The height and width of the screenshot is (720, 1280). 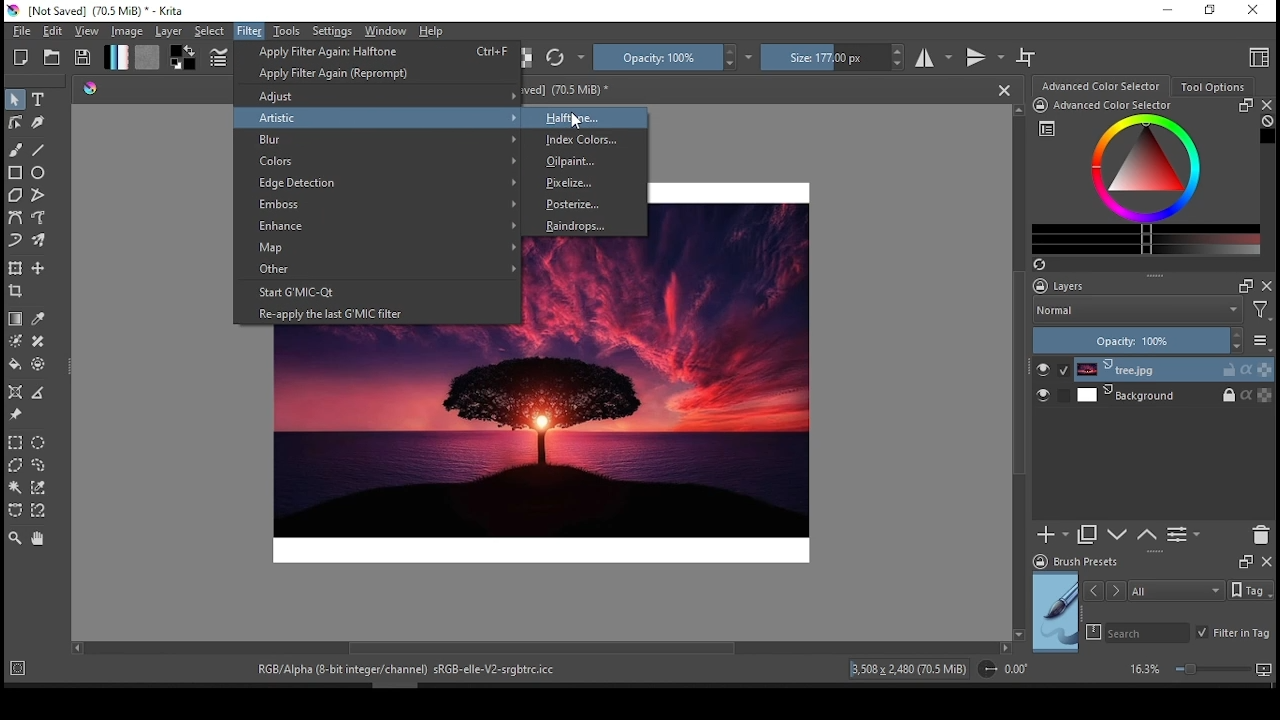 What do you see at coordinates (116, 57) in the screenshot?
I see `fill gradient tool` at bounding box center [116, 57].